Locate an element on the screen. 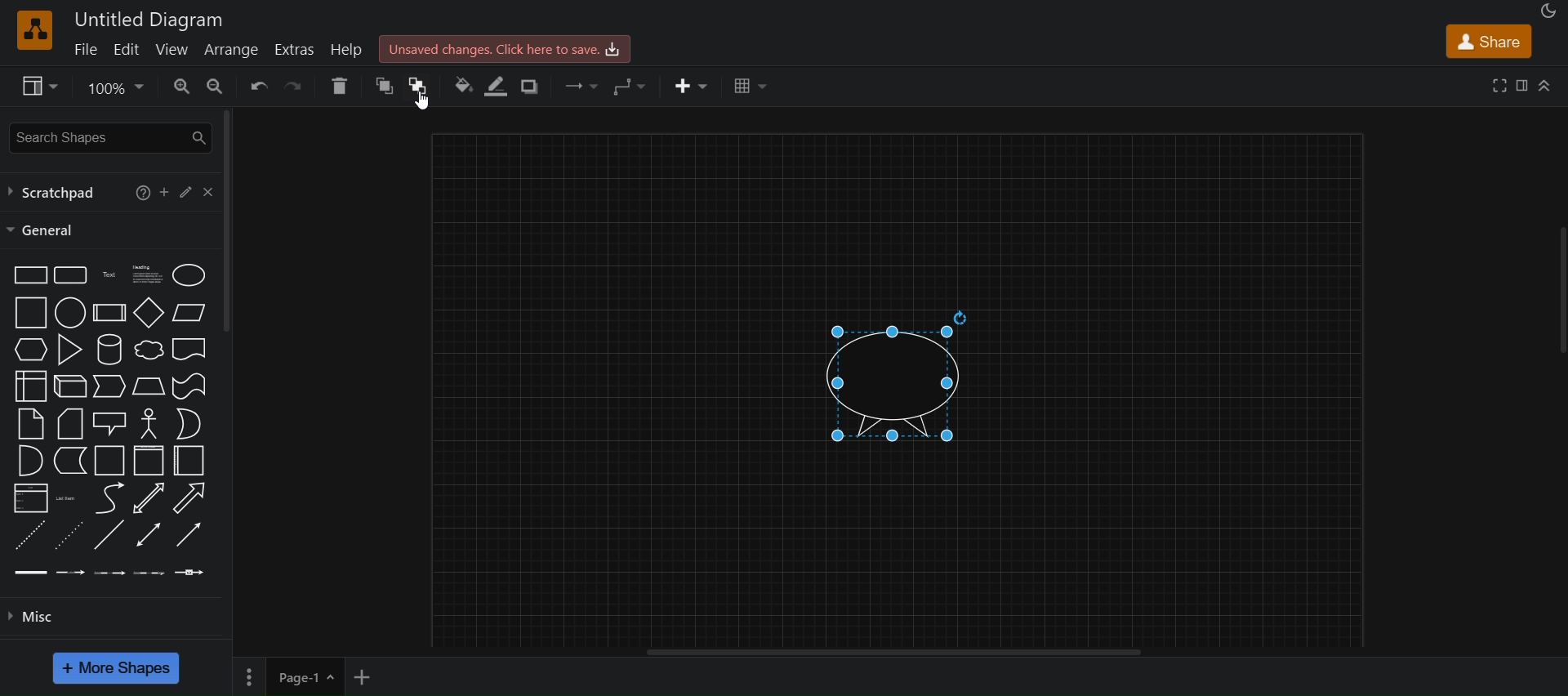  redo is located at coordinates (297, 86).